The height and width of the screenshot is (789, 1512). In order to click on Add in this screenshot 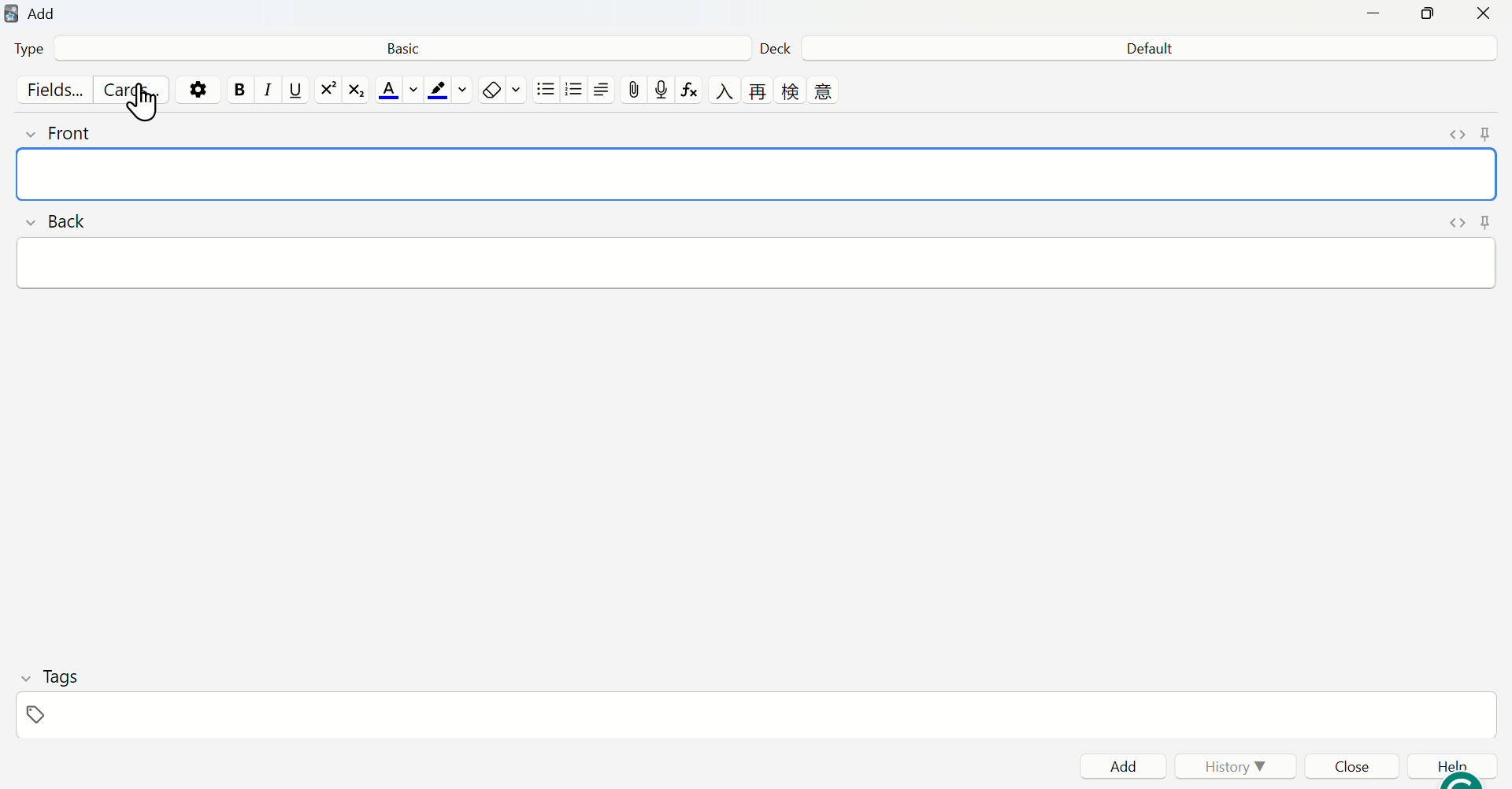, I will do `click(1125, 765)`.